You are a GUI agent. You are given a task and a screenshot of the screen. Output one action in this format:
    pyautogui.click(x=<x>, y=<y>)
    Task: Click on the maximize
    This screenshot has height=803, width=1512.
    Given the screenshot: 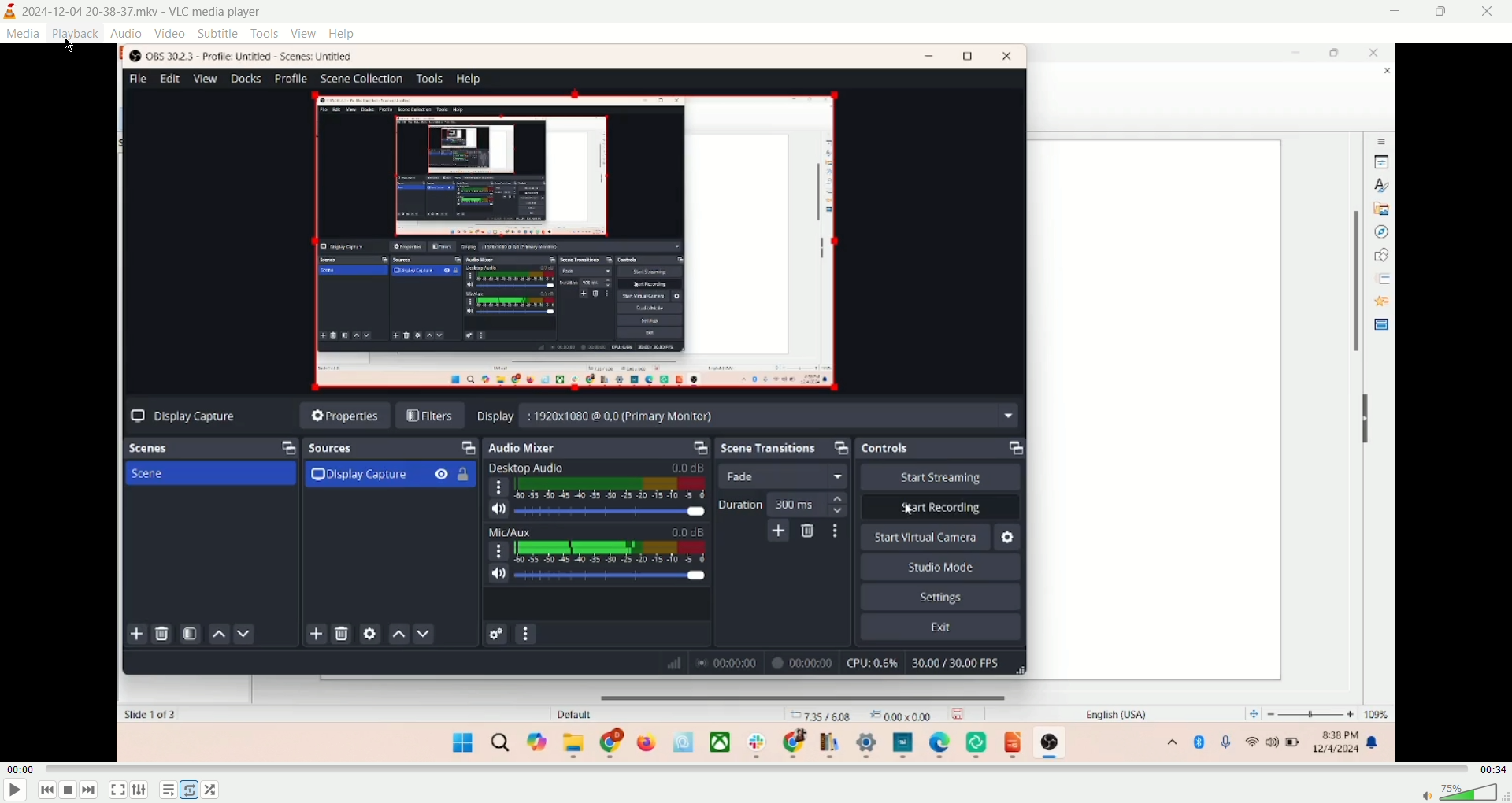 What is the action you would take?
    pyautogui.click(x=1440, y=12)
    